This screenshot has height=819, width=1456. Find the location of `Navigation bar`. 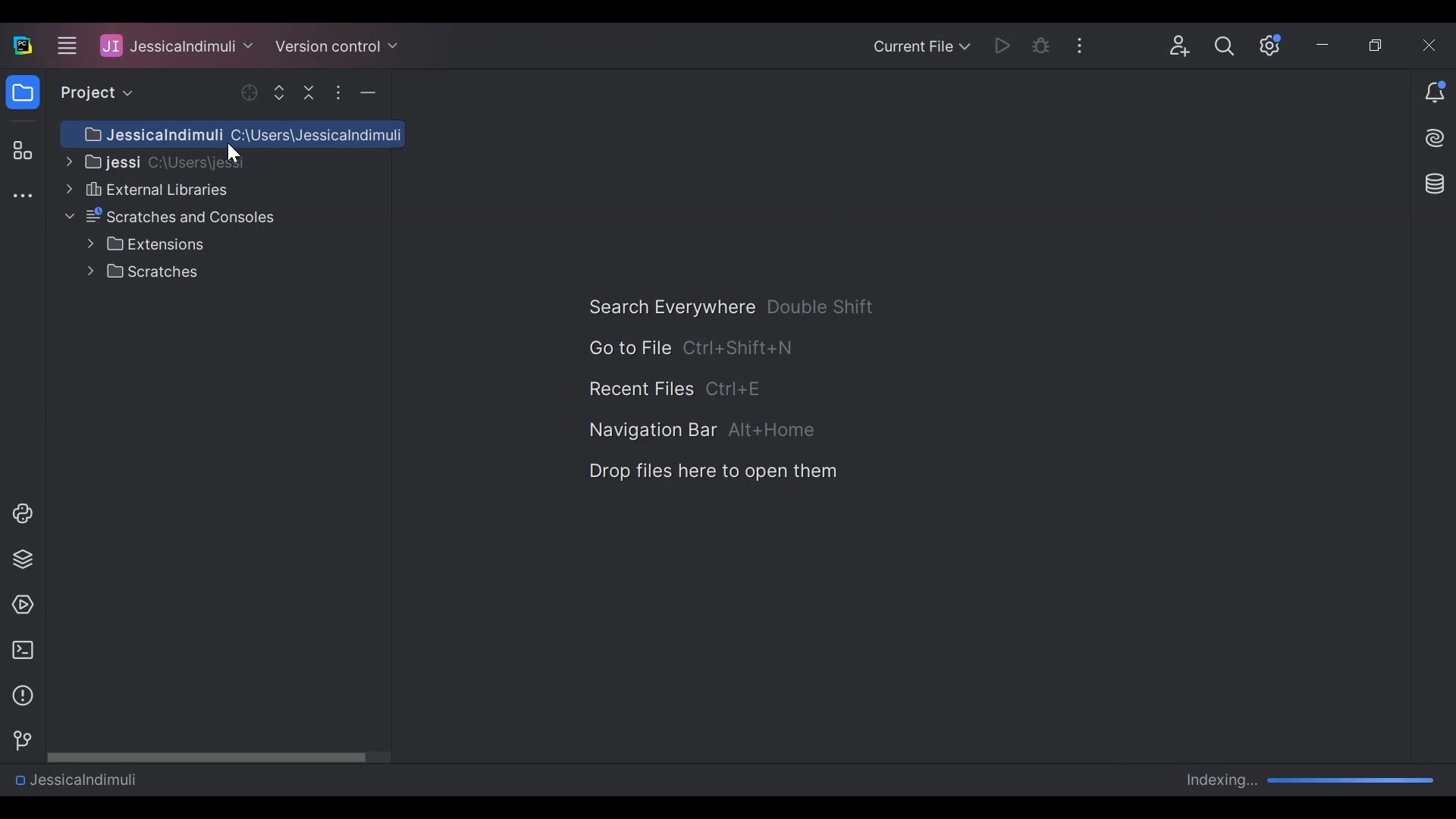

Navigation bar is located at coordinates (651, 431).